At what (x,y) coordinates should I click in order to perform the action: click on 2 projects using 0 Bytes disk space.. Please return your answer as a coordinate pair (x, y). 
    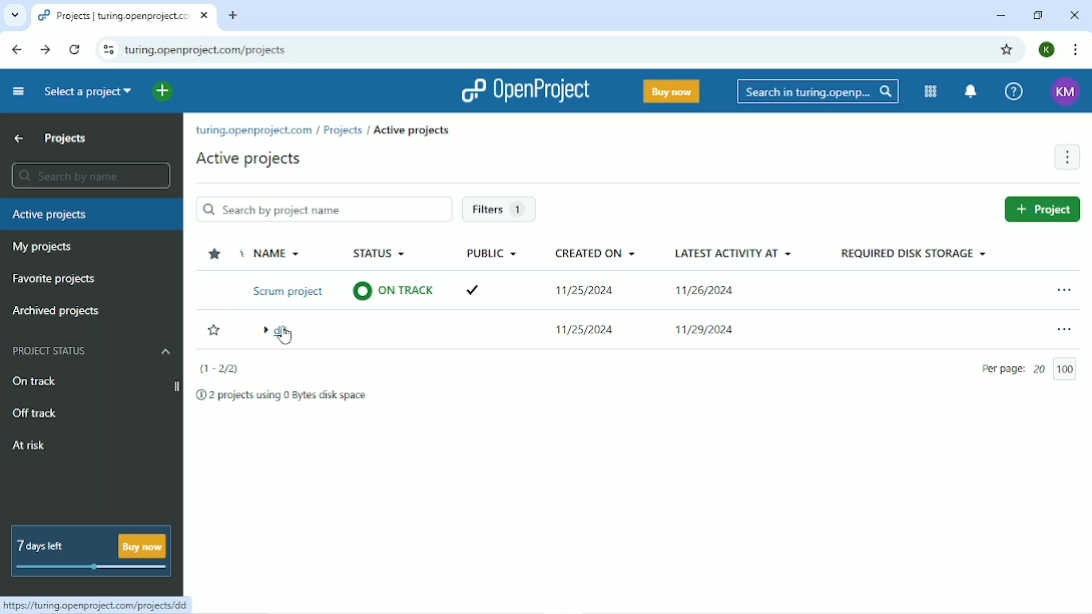
    Looking at the image, I should click on (283, 395).